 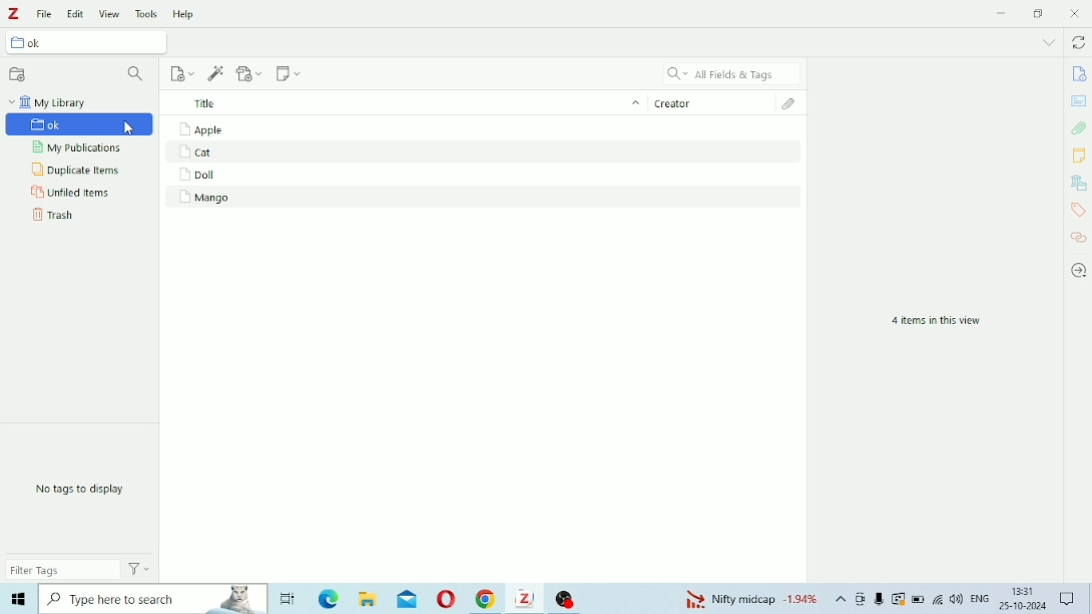 I want to click on OBS Studio, so click(x=568, y=598).